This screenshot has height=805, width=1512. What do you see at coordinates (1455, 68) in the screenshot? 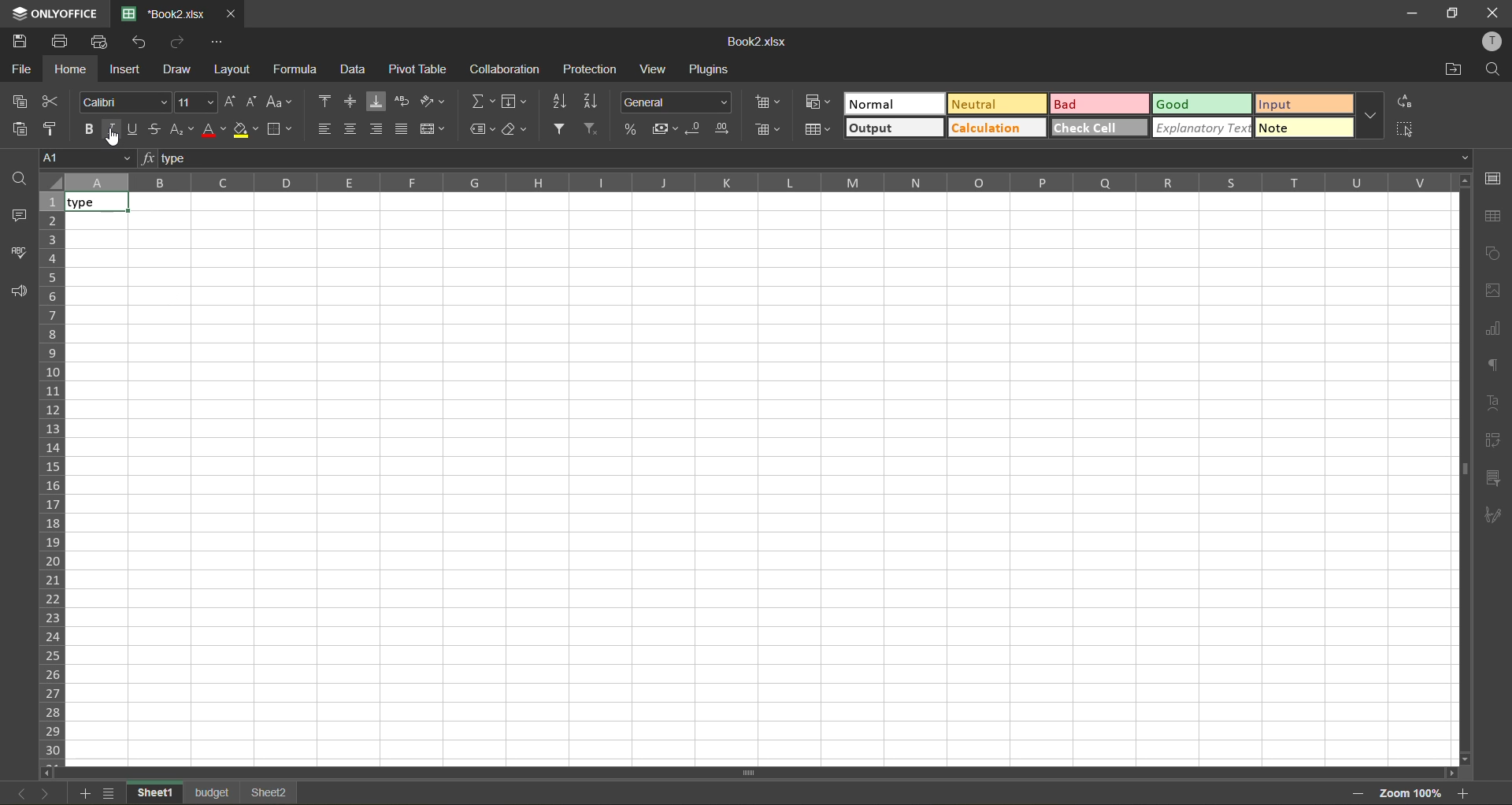
I see `open location` at bounding box center [1455, 68].